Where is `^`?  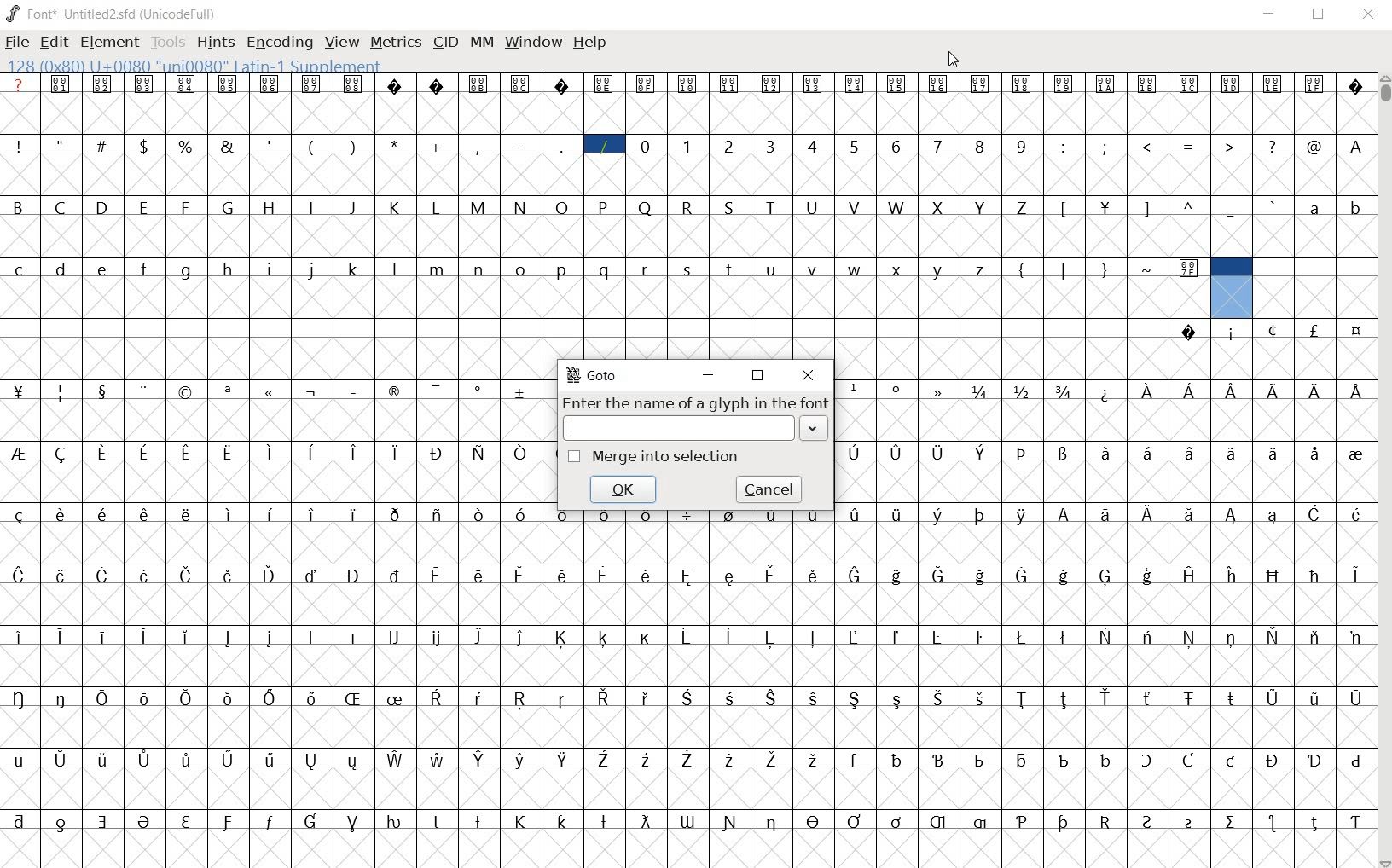
^ is located at coordinates (1190, 206).